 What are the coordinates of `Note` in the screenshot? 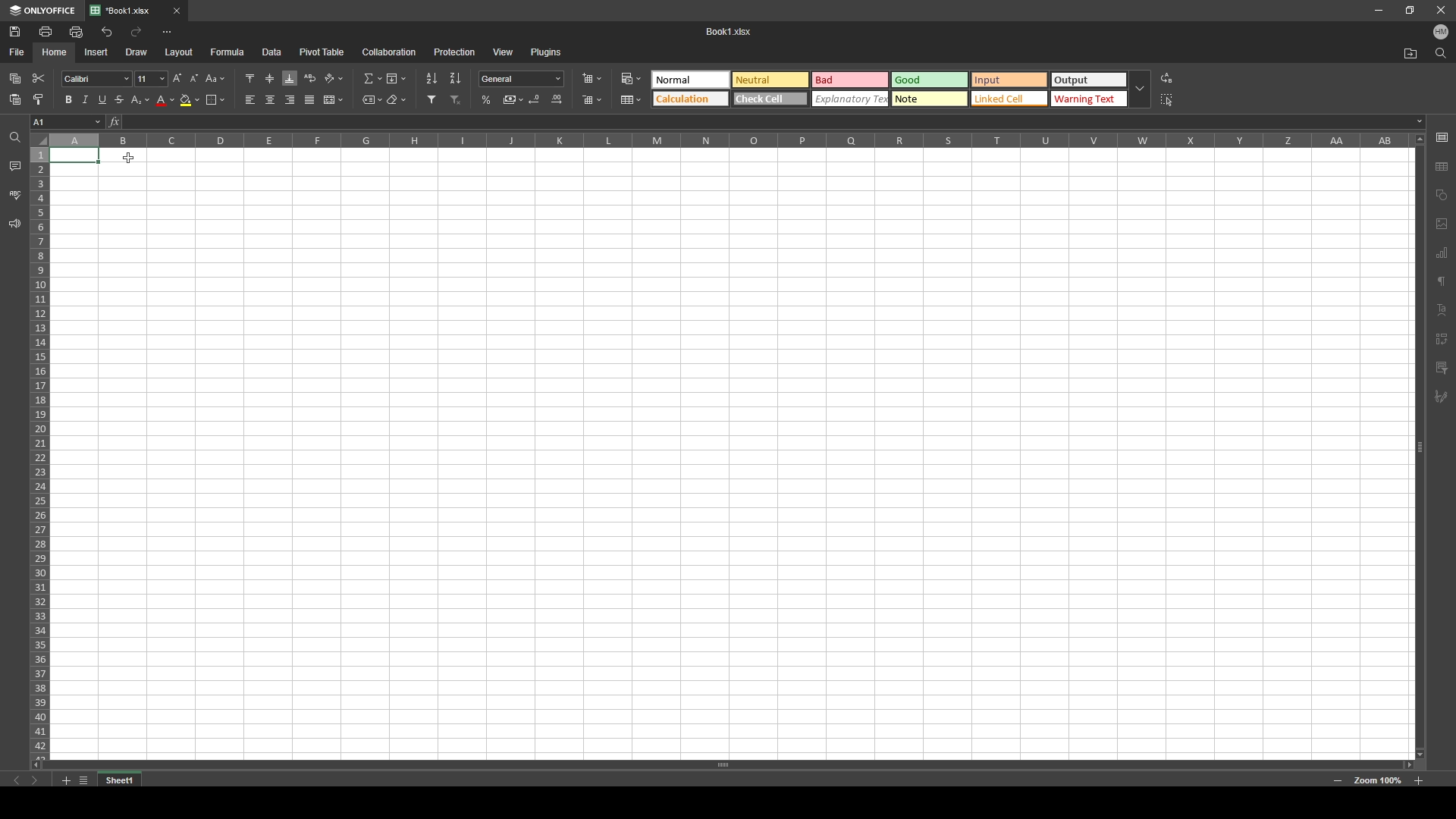 It's located at (930, 99).